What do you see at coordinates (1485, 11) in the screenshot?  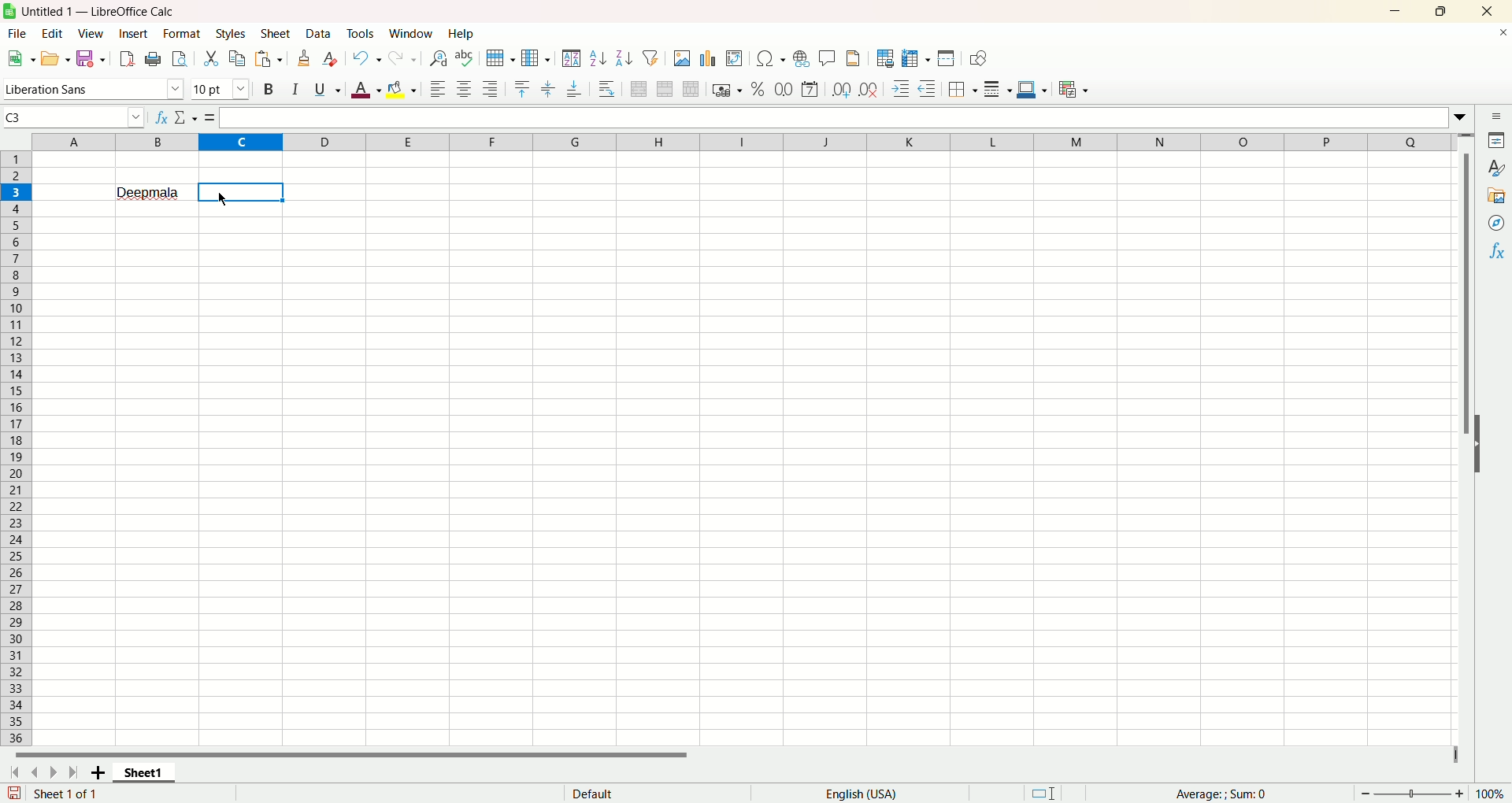 I see `close` at bounding box center [1485, 11].